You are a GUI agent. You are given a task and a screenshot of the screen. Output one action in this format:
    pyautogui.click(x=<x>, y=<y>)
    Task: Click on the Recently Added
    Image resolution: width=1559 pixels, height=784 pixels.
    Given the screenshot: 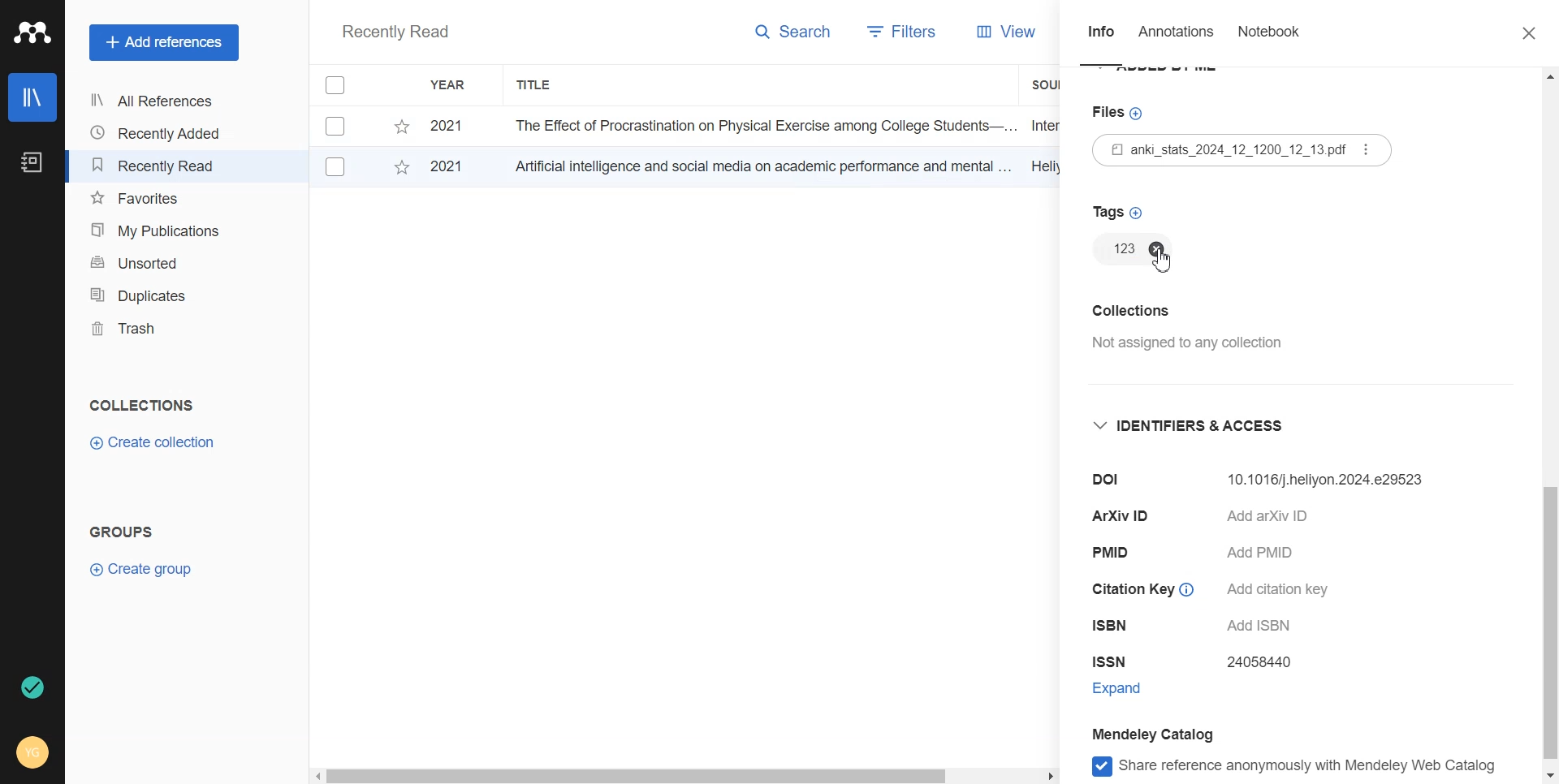 What is the action you would take?
    pyautogui.click(x=158, y=133)
    